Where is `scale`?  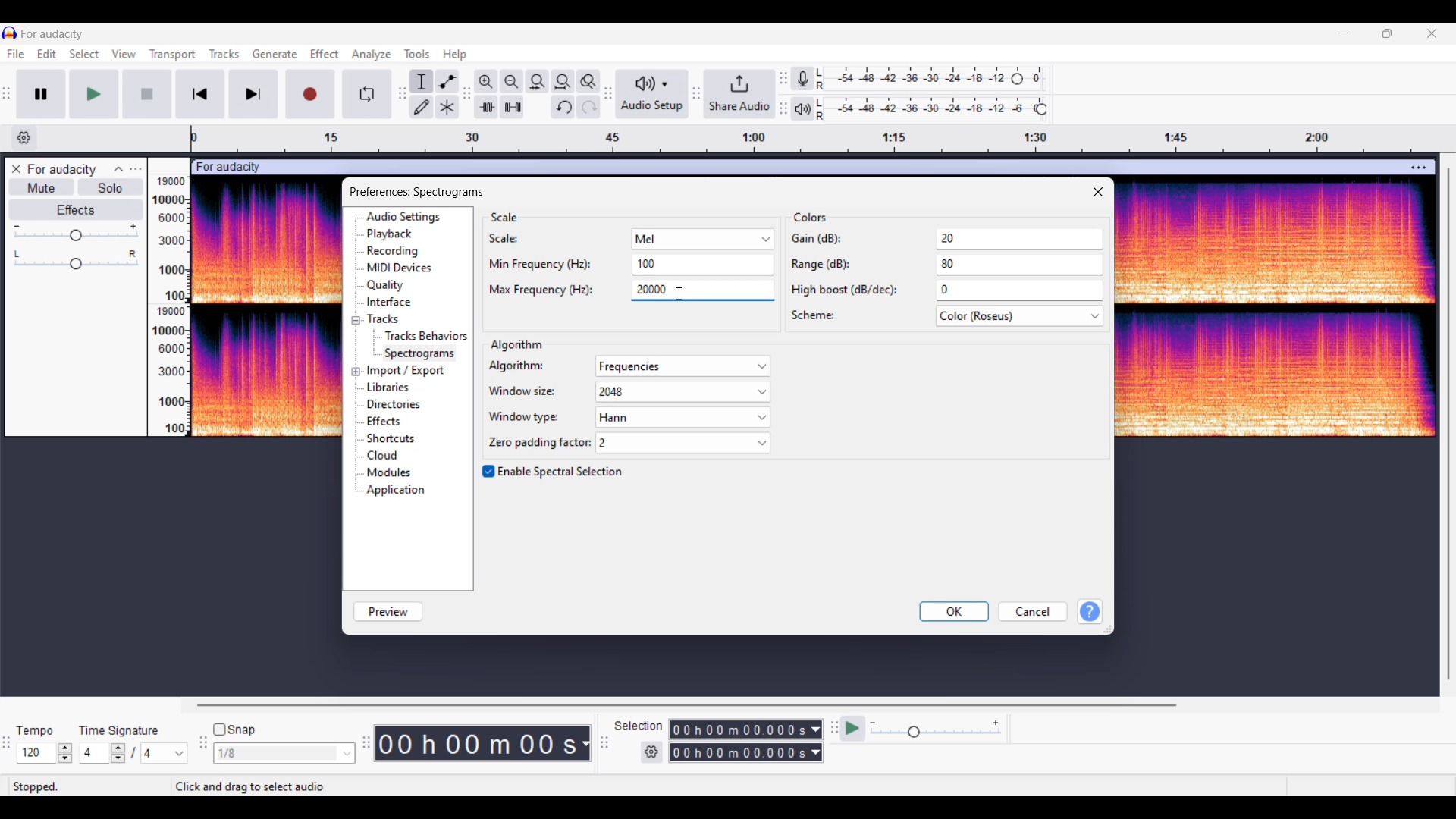
scale is located at coordinates (633, 240).